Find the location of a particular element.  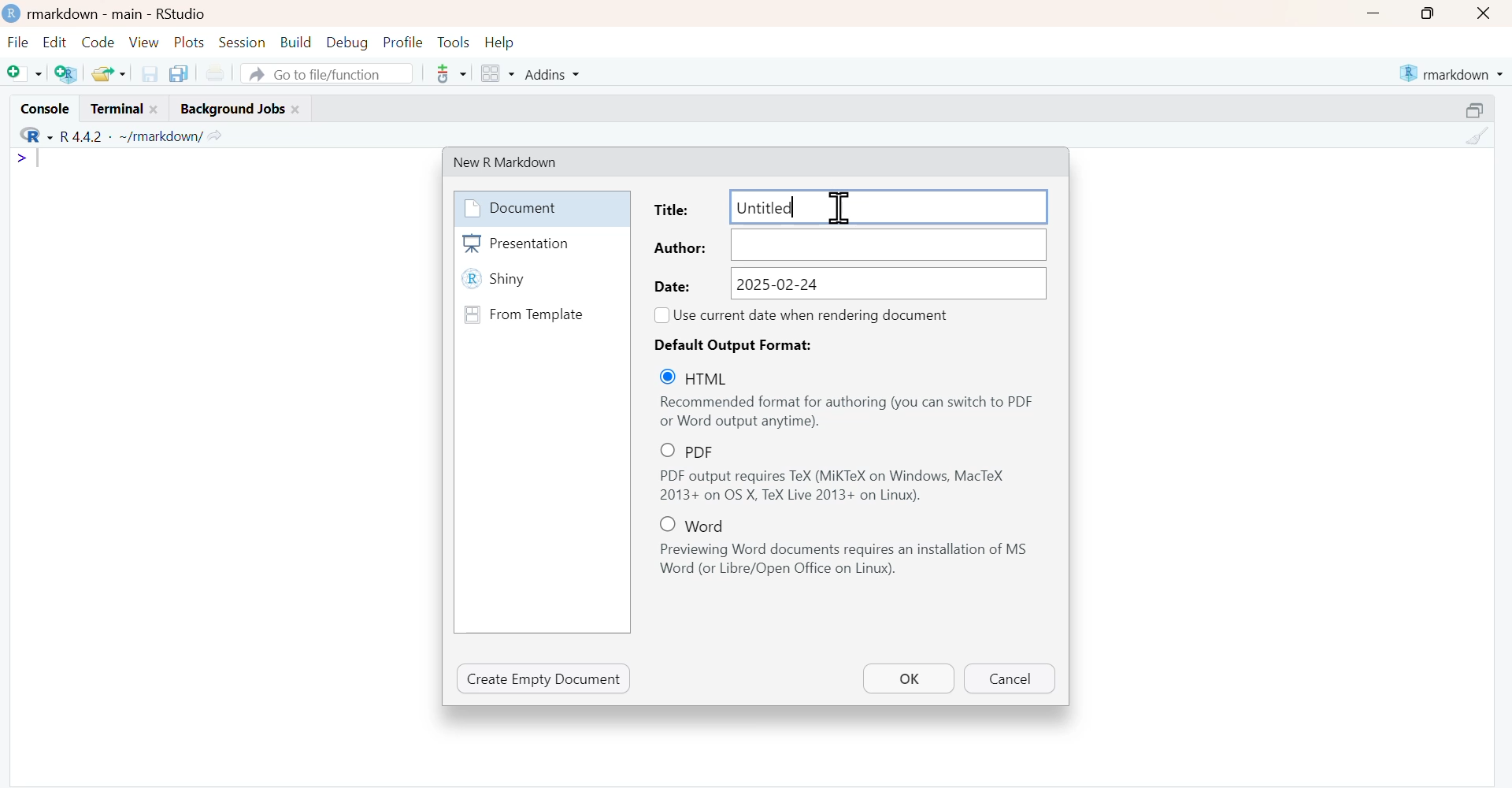

Document is located at coordinates (539, 208).